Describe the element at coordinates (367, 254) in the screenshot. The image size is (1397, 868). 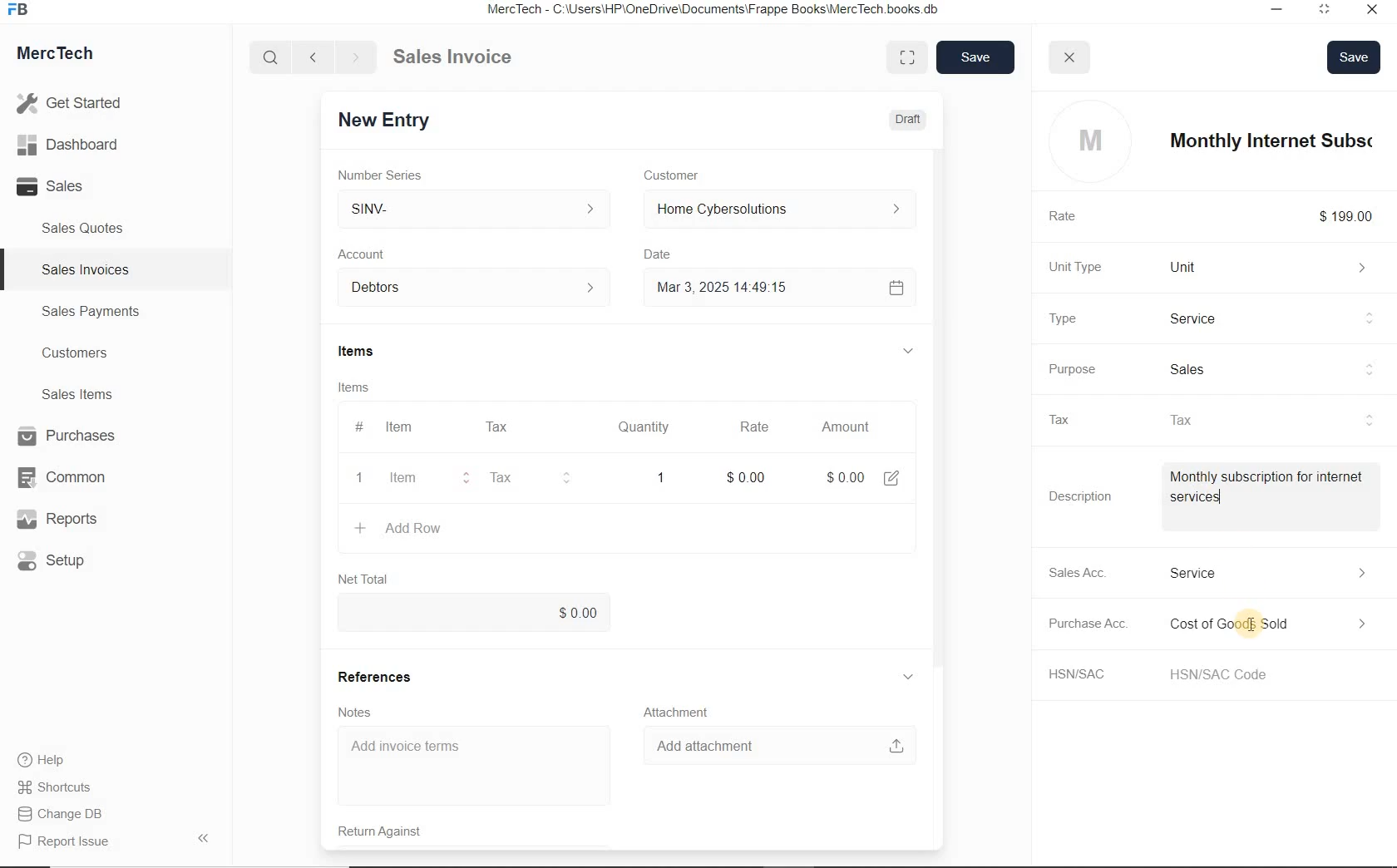
I see `Account` at that location.